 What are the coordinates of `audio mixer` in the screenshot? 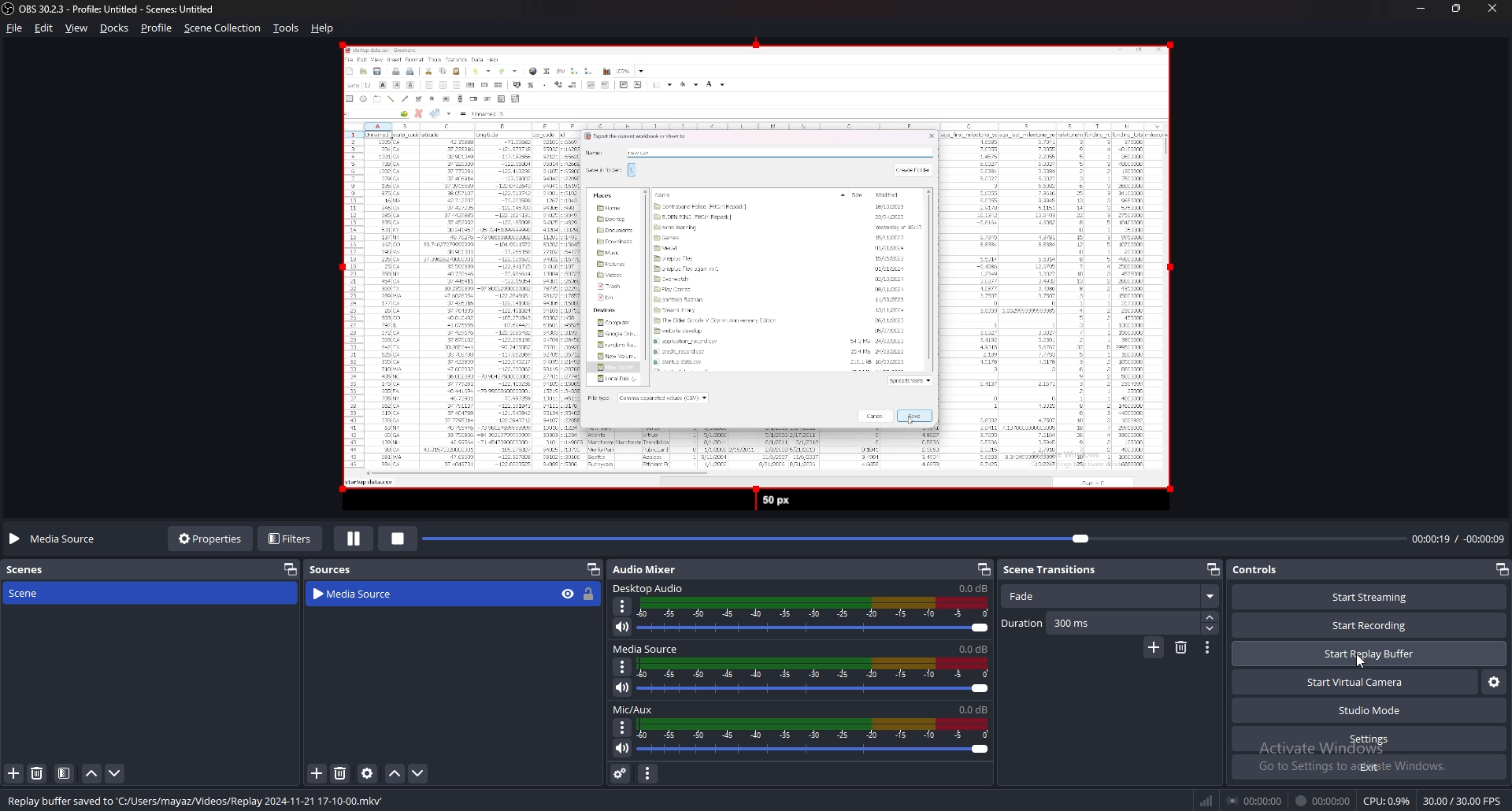 It's located at (645, 569).